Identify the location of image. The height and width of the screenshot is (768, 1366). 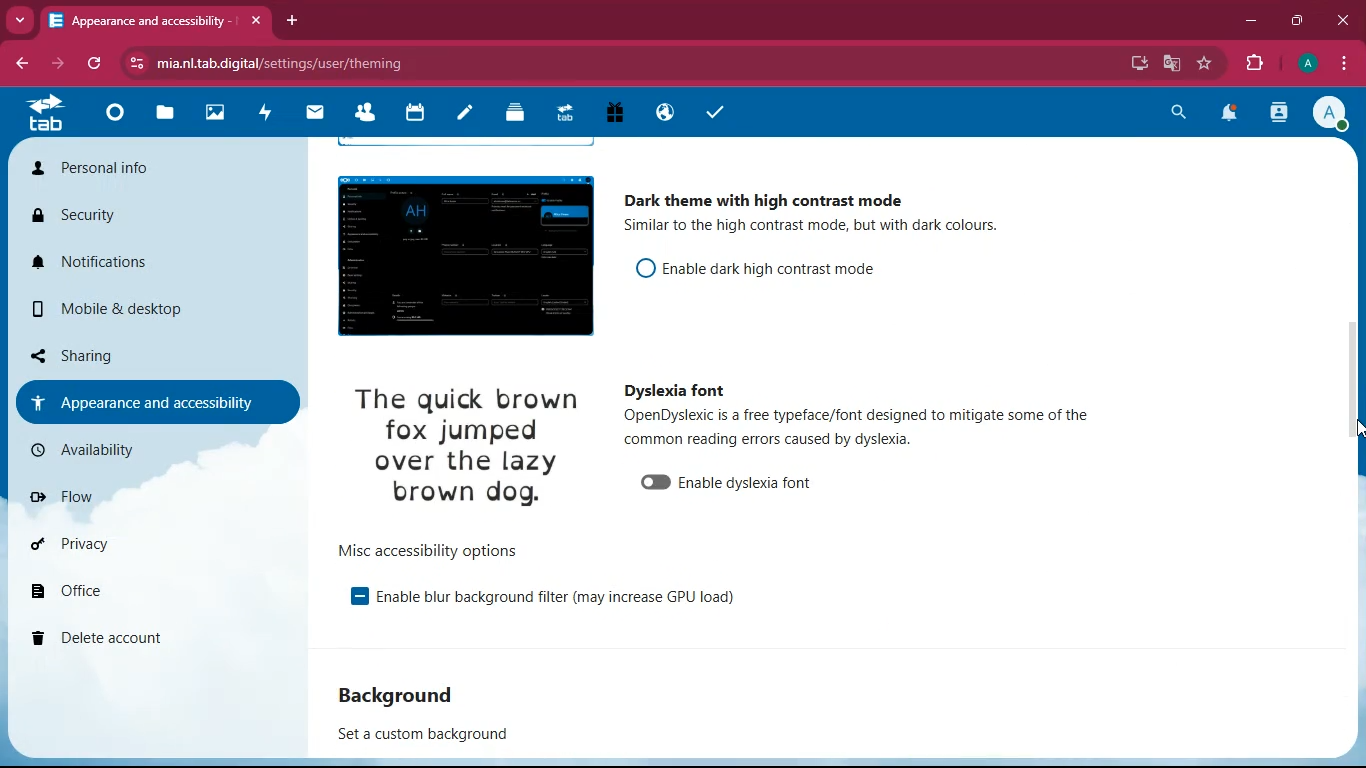
(464, 256).